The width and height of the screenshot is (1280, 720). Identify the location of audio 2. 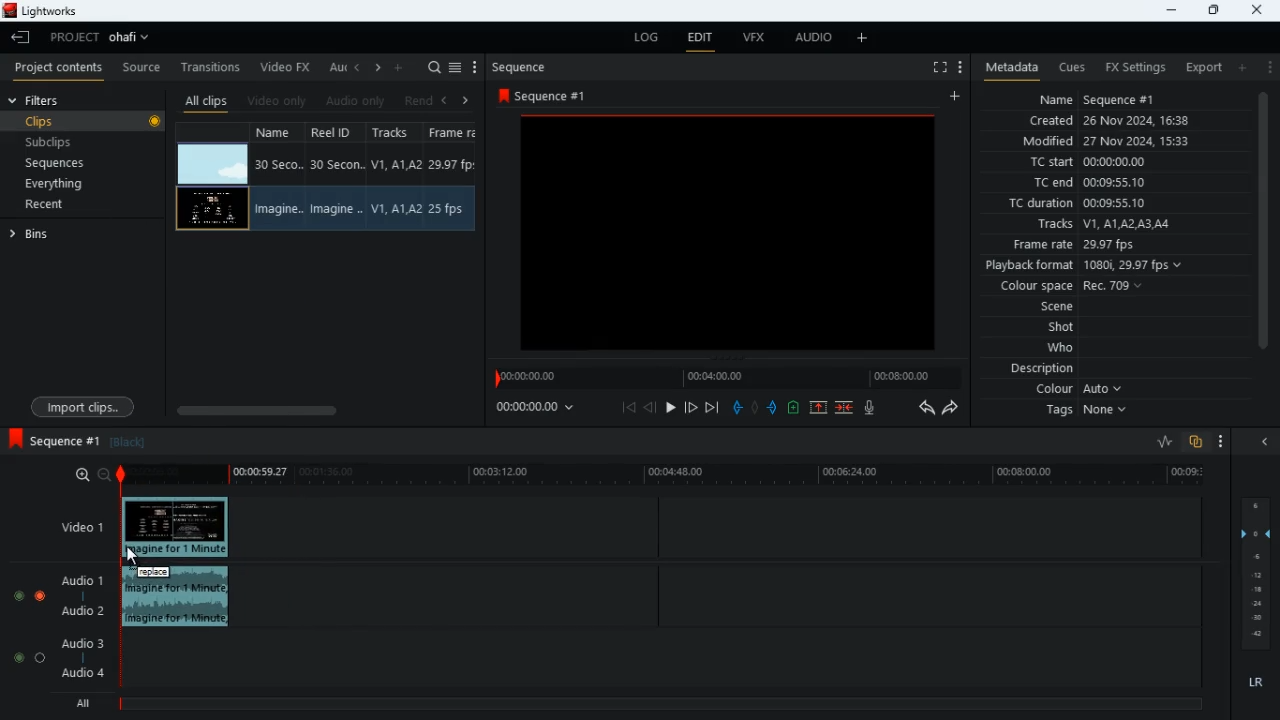
(88, 613).